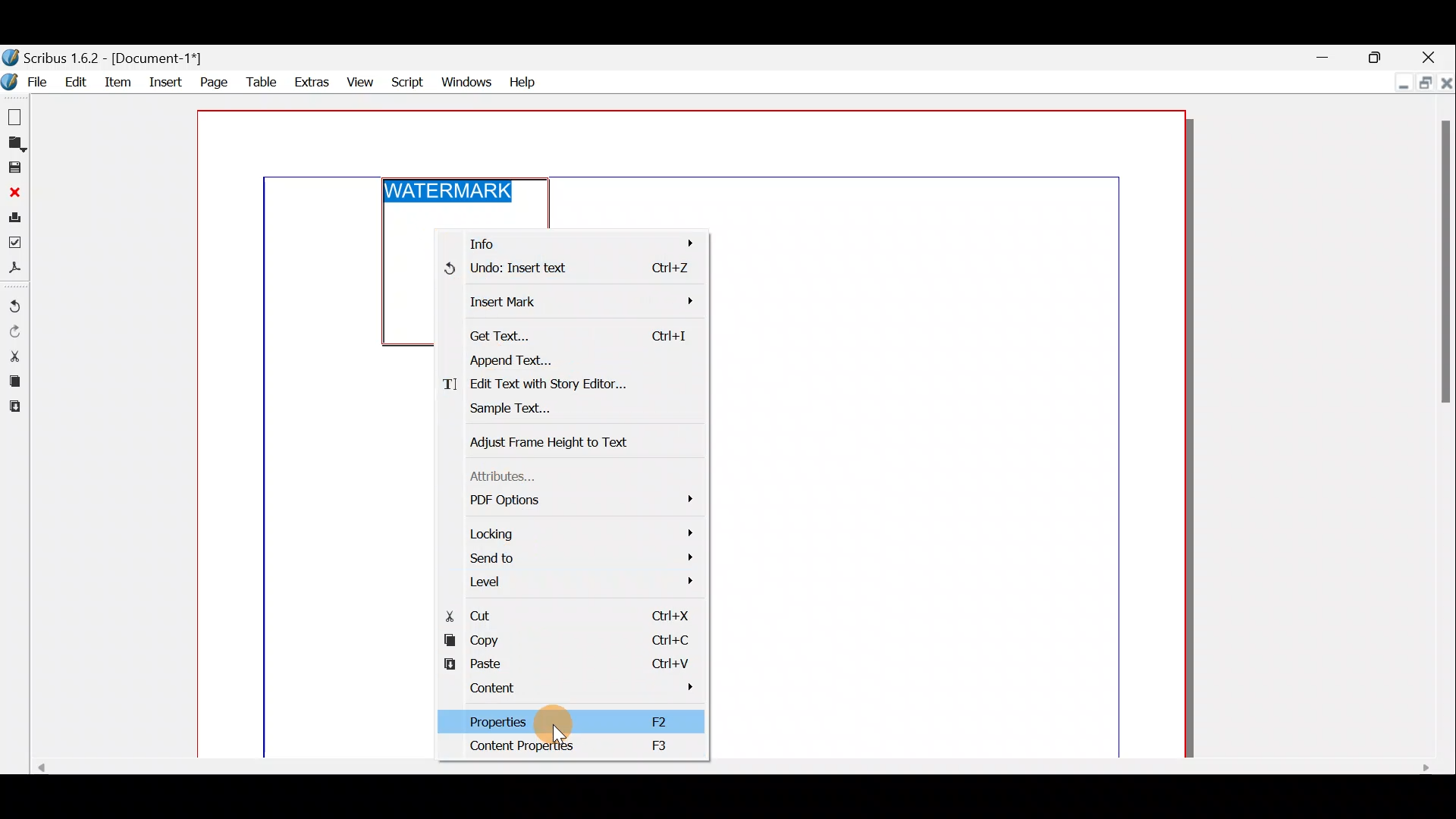 The image size is (1456, 819). What do you see at coordinates (1423, 81) in the screenshot?
I see `Maximise` at bounding box center [1423, 81].